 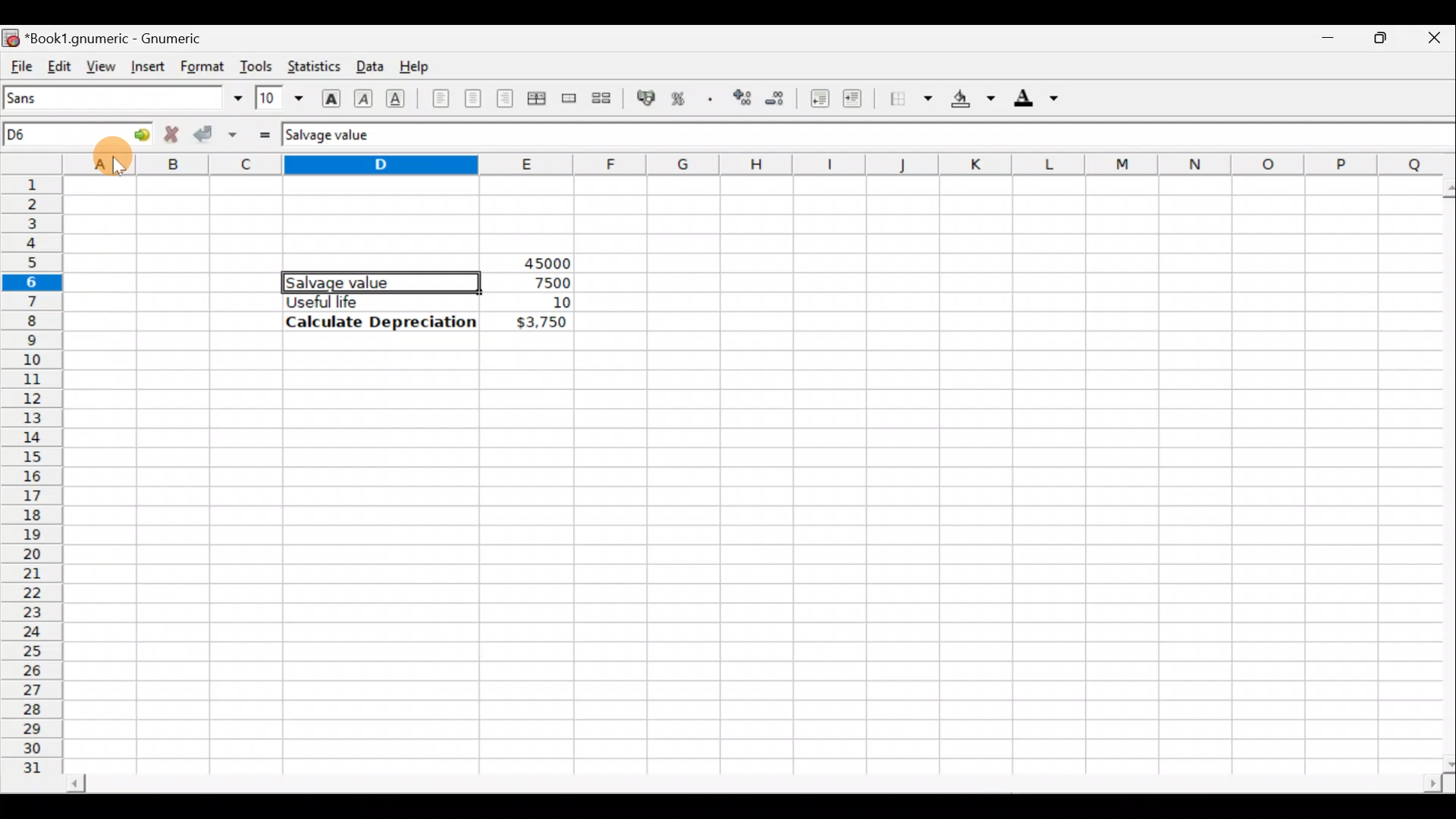 I want to click on Salvage value, so click(x=329, y=134).